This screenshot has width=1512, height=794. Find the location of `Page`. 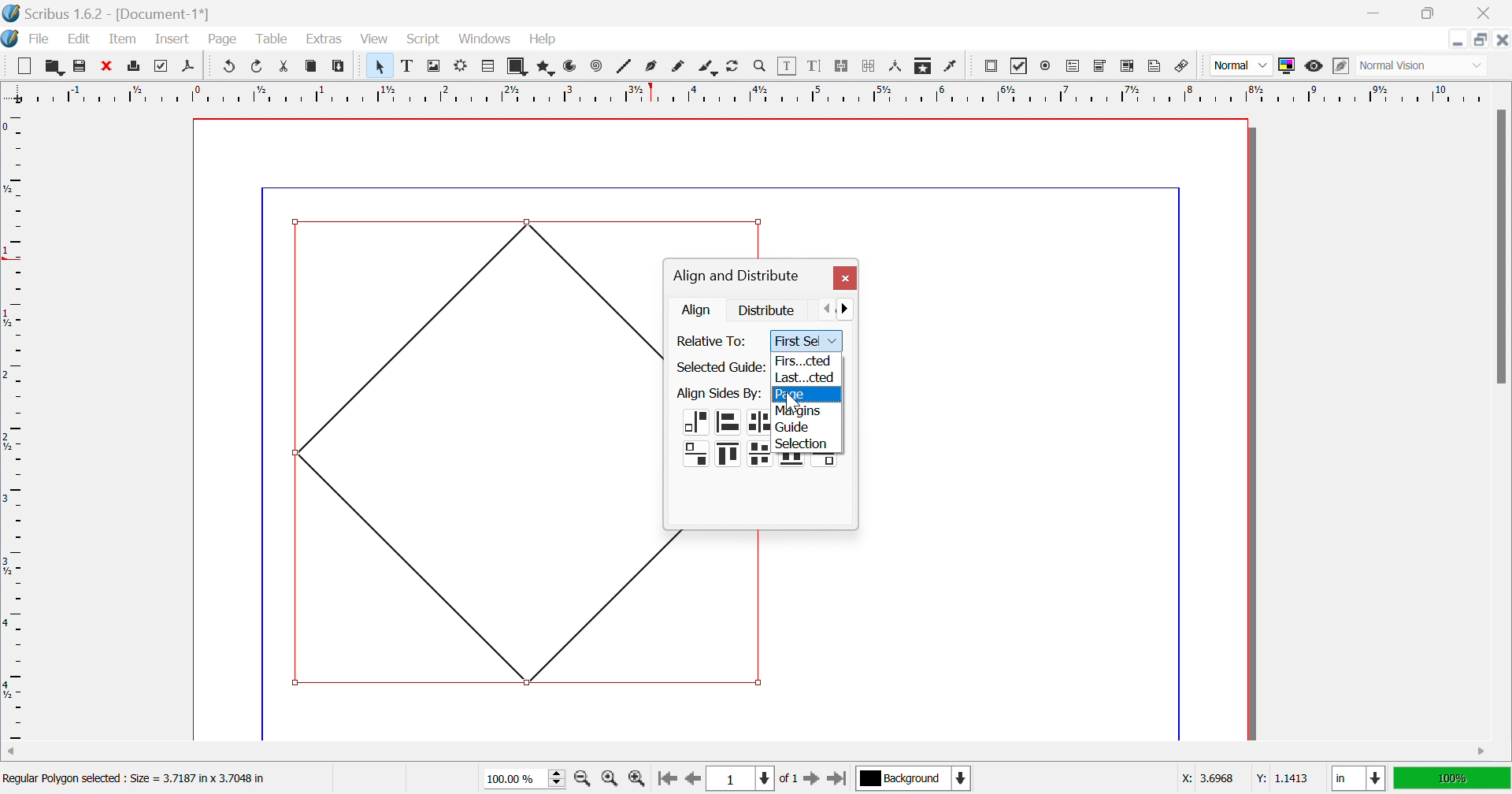

Page is located at coordinates (221, 39).